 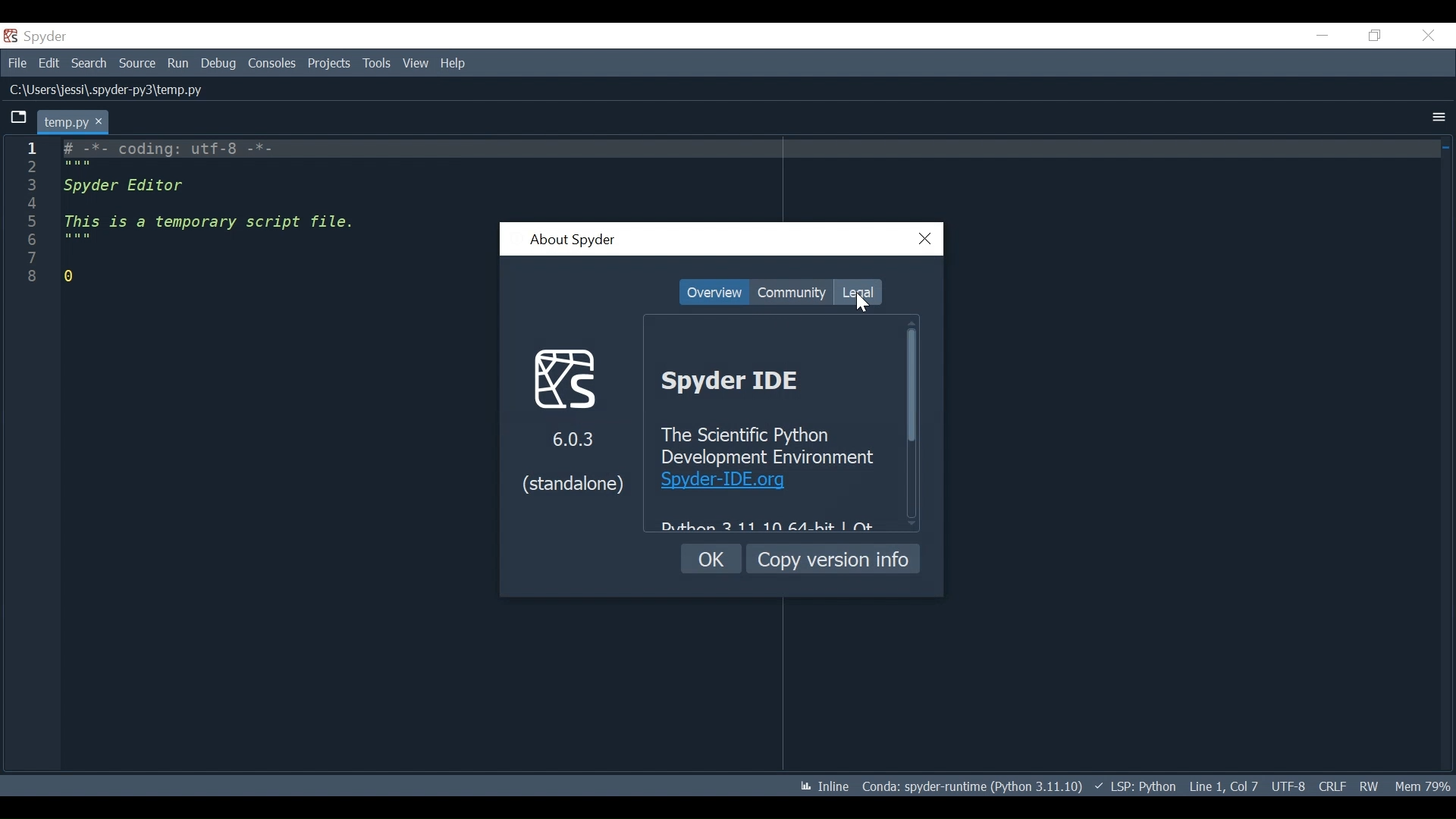 I want to click on Minimize, so click(x=1322, y=35).